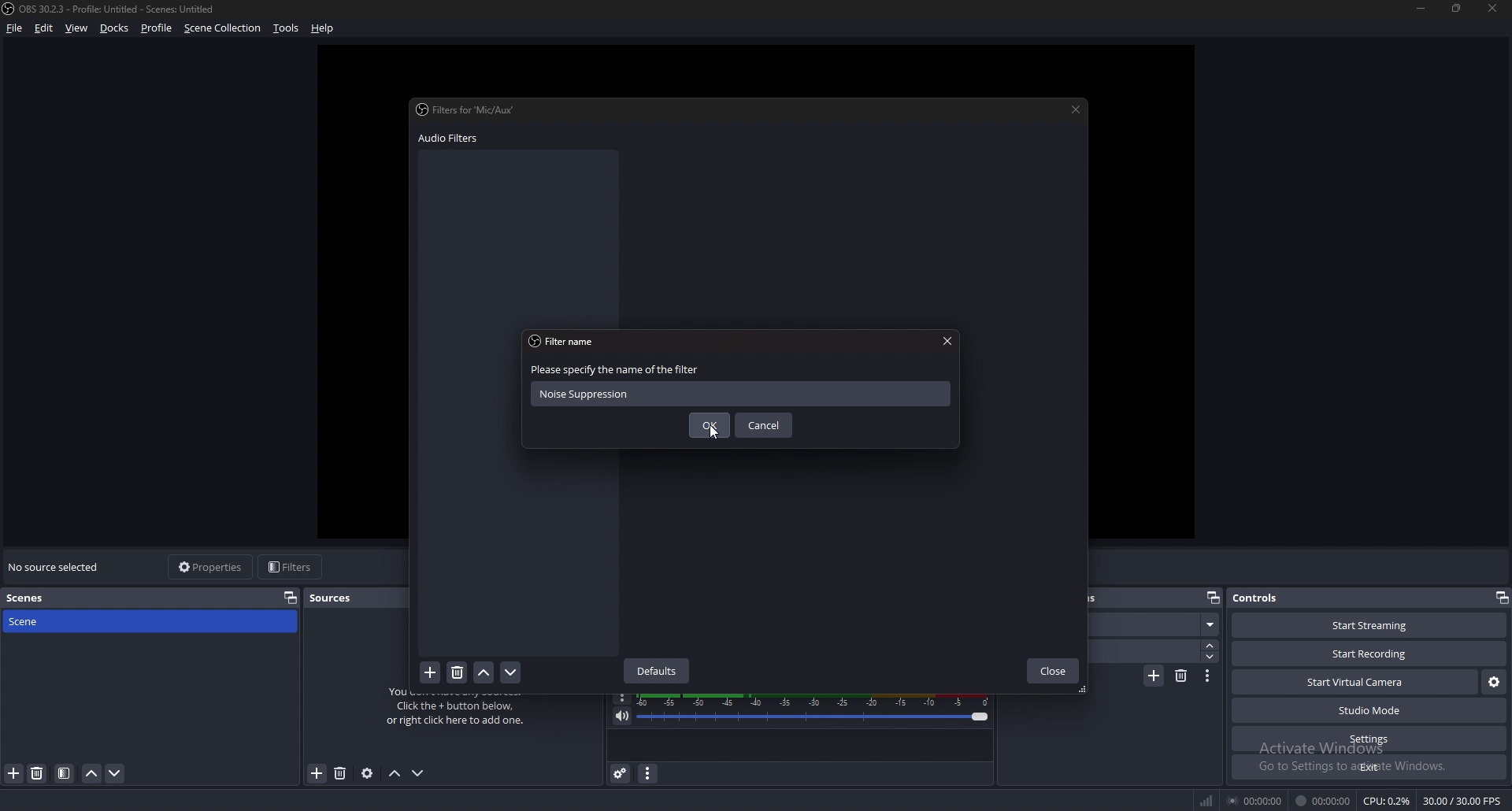 The height and width of the screenshot is (811, 1512). Describe the element at coordinates (1142, 597) in the screenshot. I see `scene transitions` at that location.